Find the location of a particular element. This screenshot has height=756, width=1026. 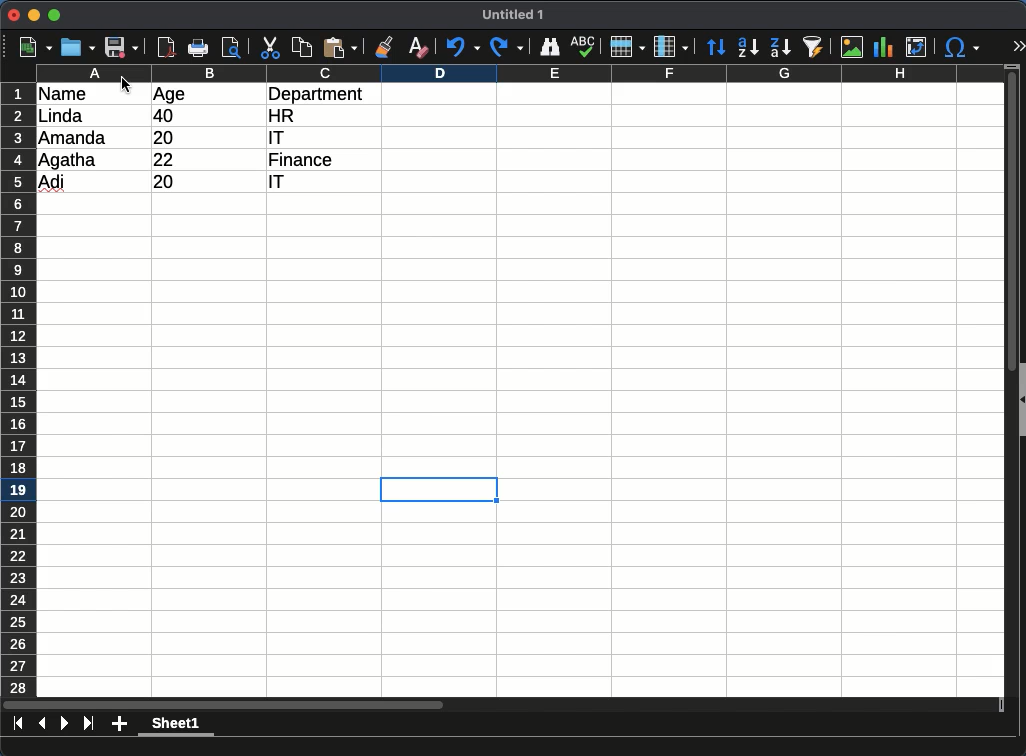

copy is located at coordinates (303, 47).